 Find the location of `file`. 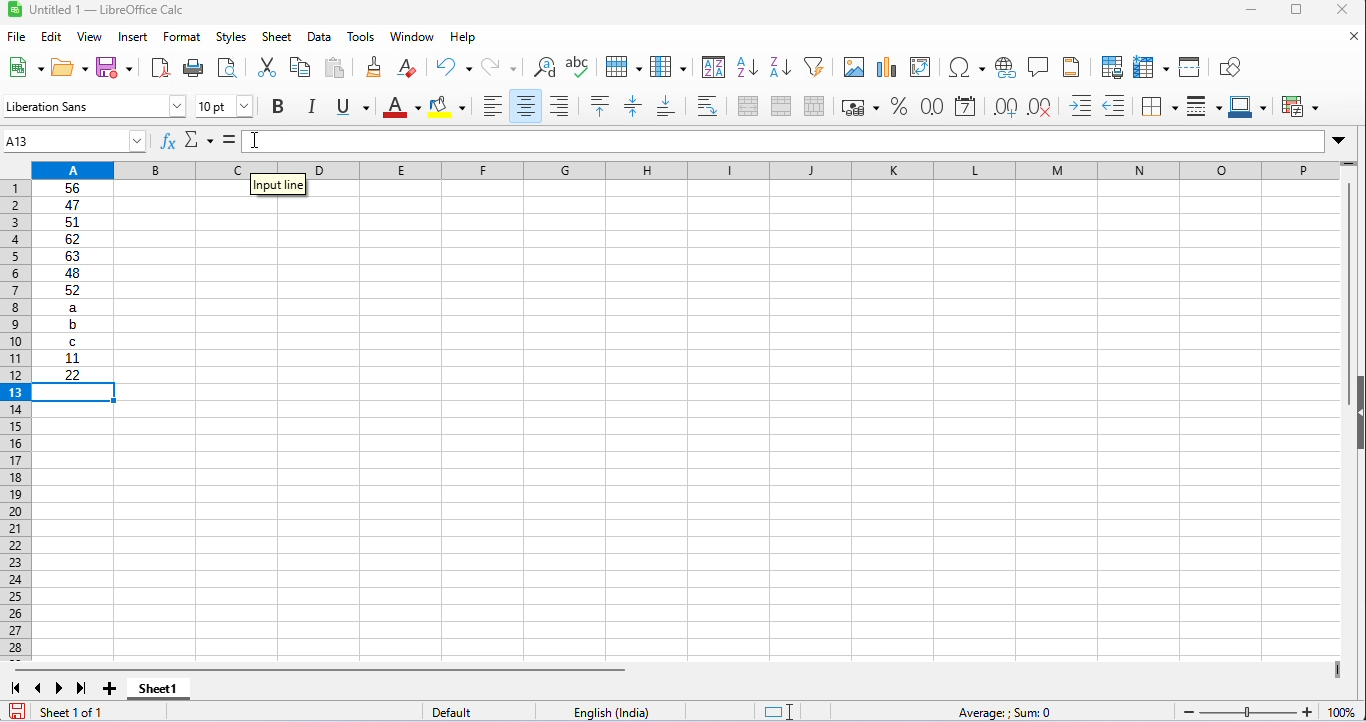

file is located at coordinates (16, 36).